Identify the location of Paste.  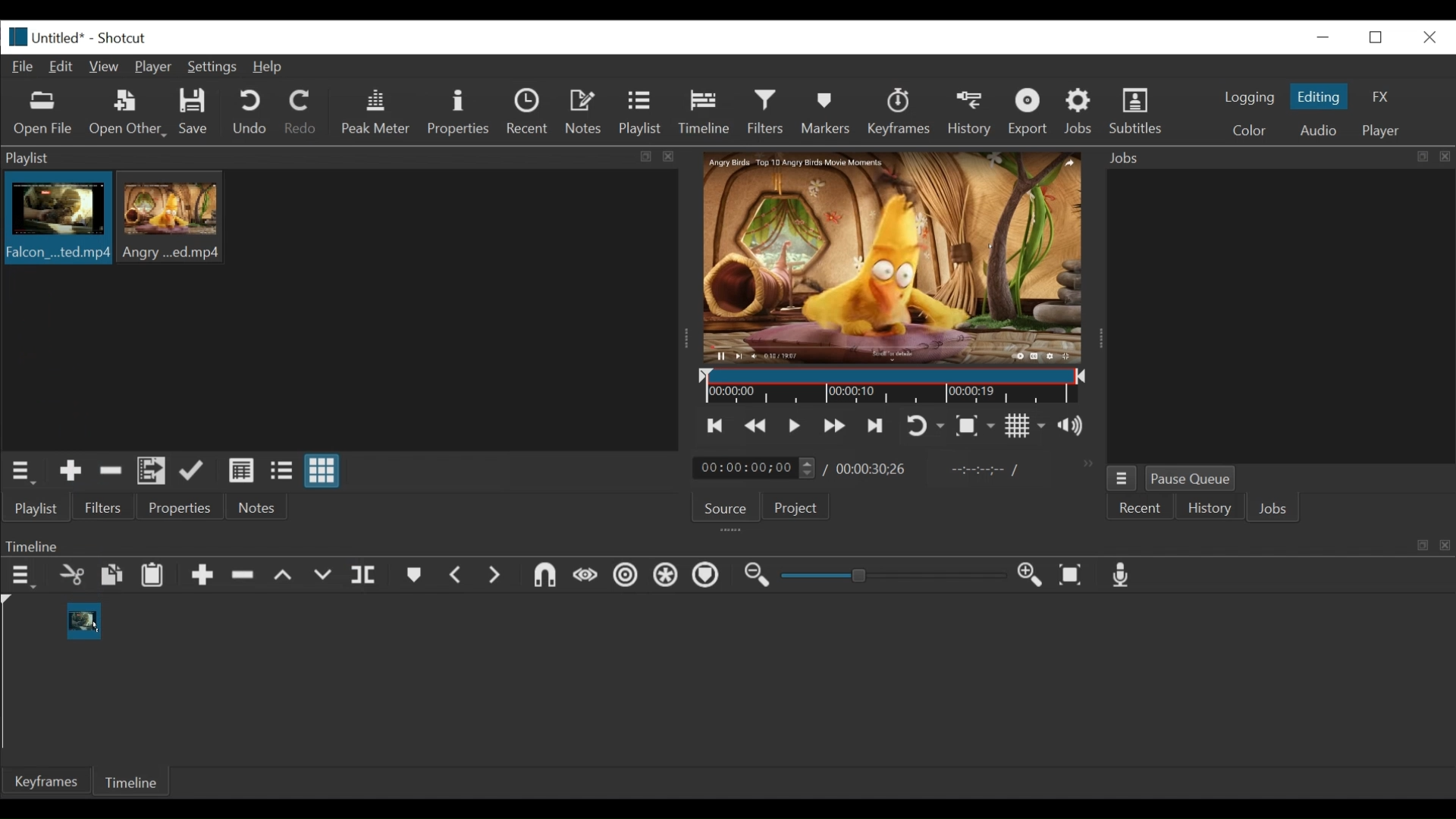
(158, 577).